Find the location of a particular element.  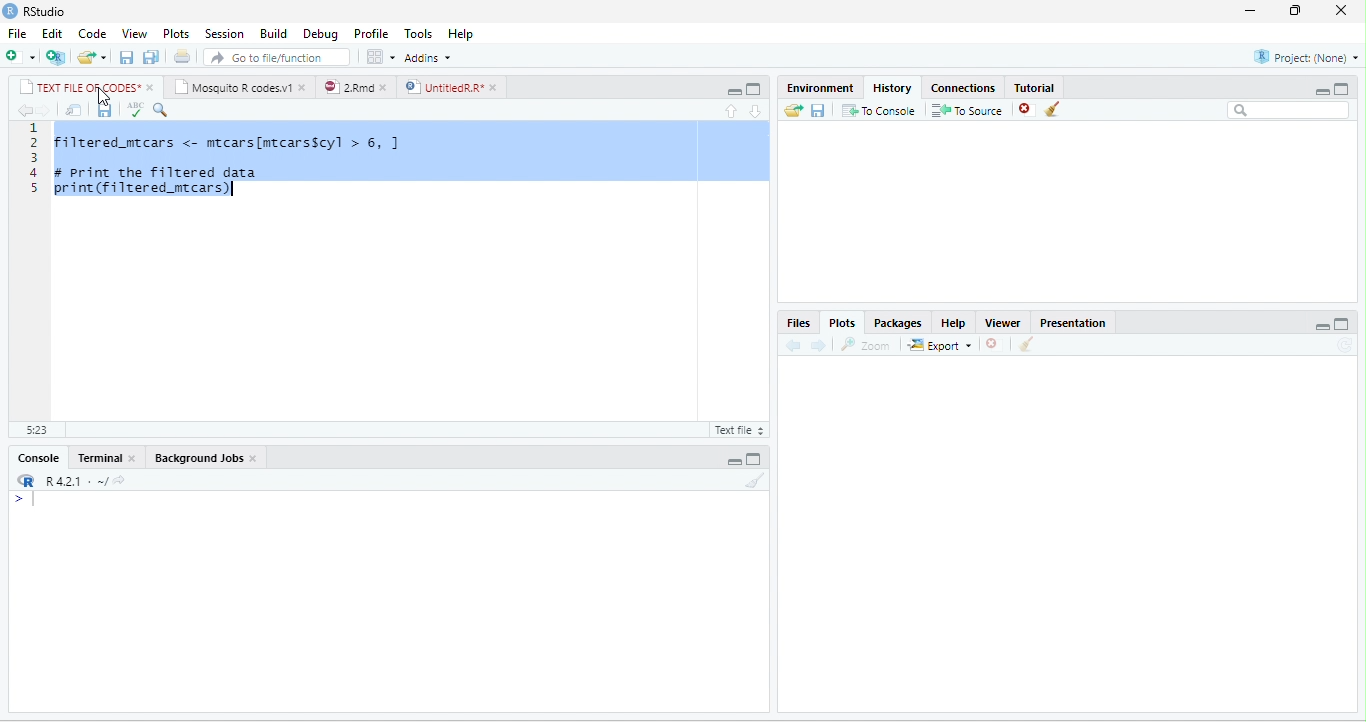

2.Rmd is located at coordinates (348, 87).